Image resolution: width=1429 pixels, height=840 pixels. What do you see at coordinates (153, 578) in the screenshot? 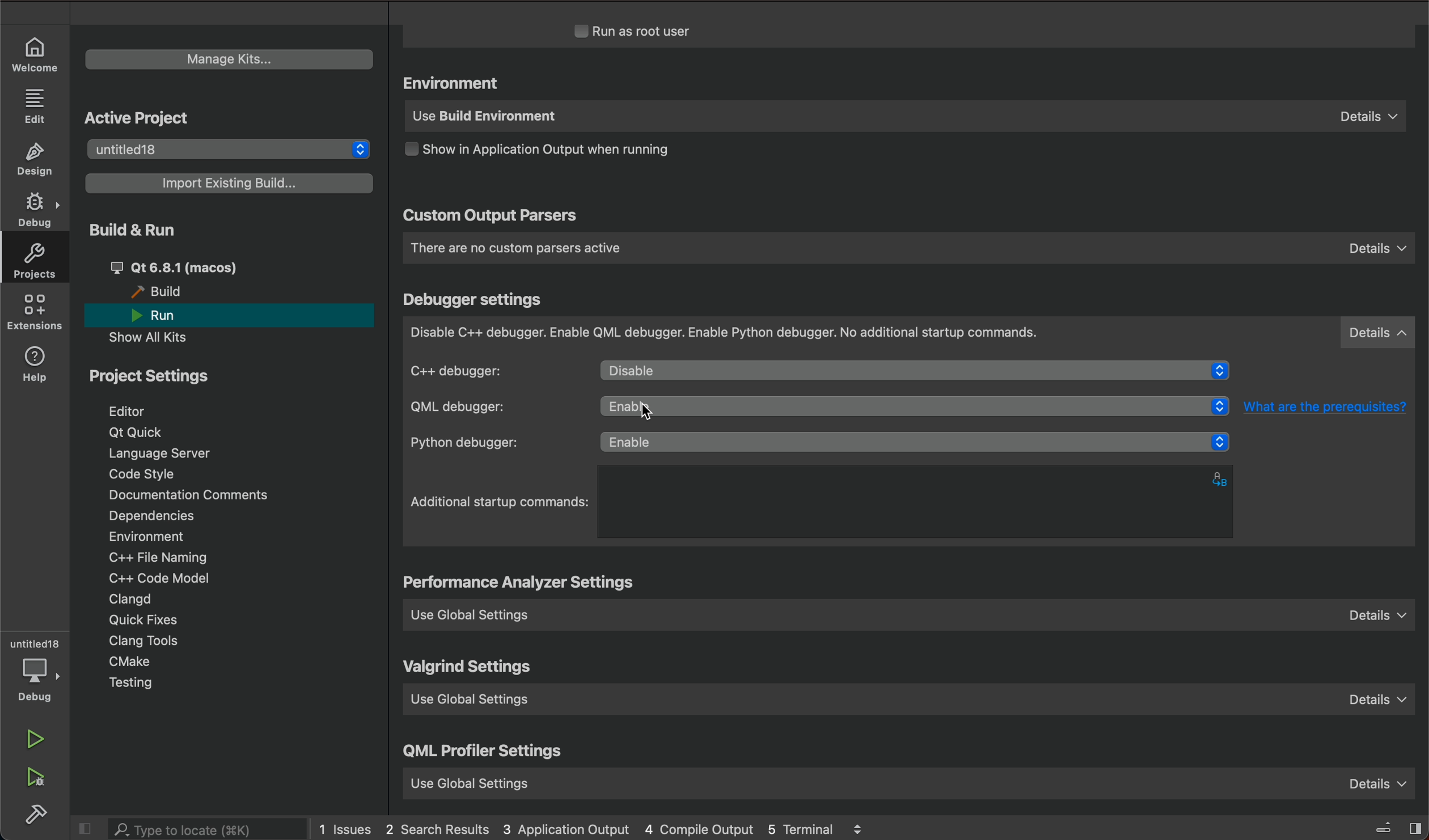
I see `code model` at bounding box center [153, 578].